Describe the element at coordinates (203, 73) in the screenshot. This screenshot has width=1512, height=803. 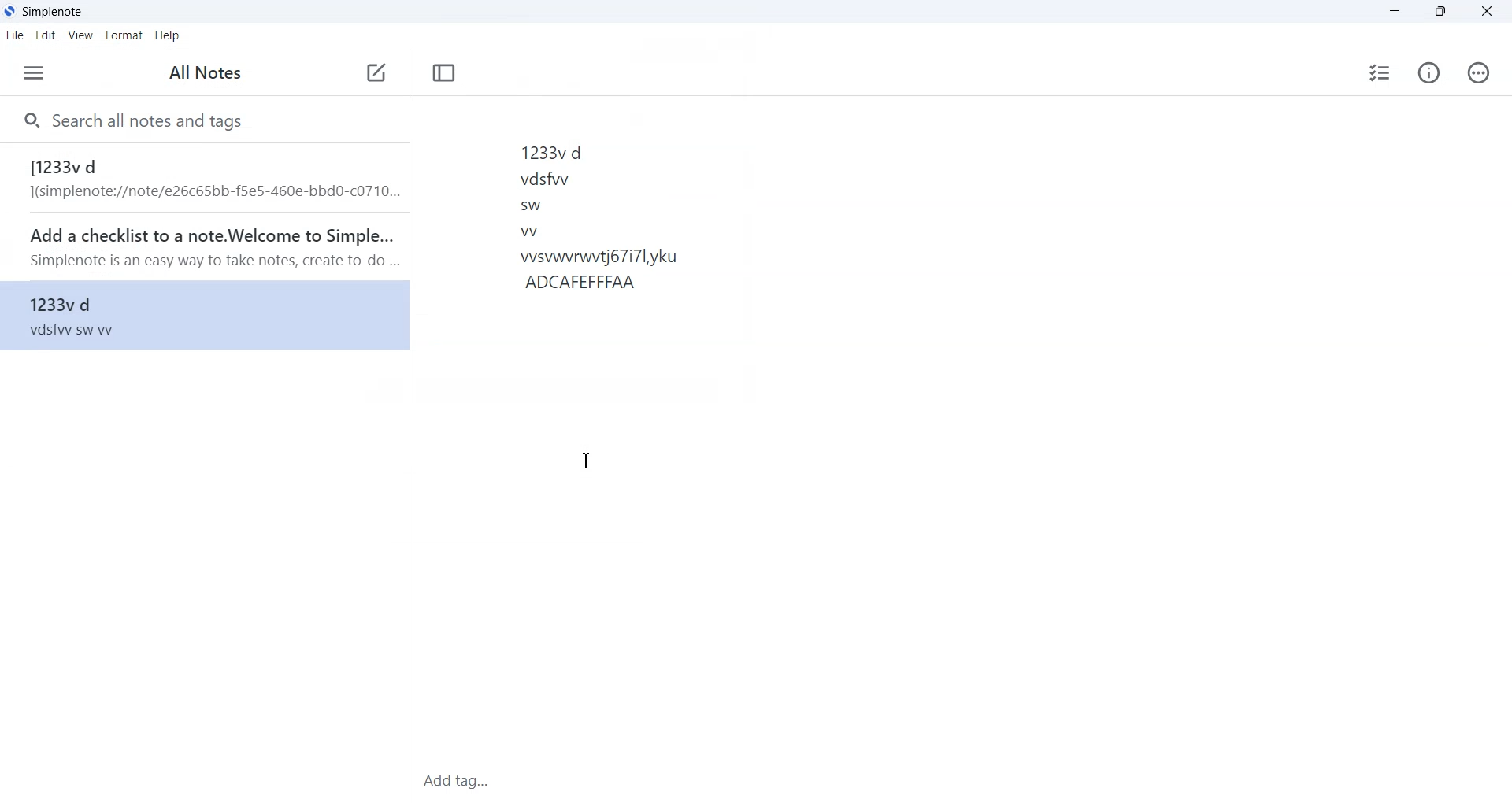
I see `All Notes` at that location.